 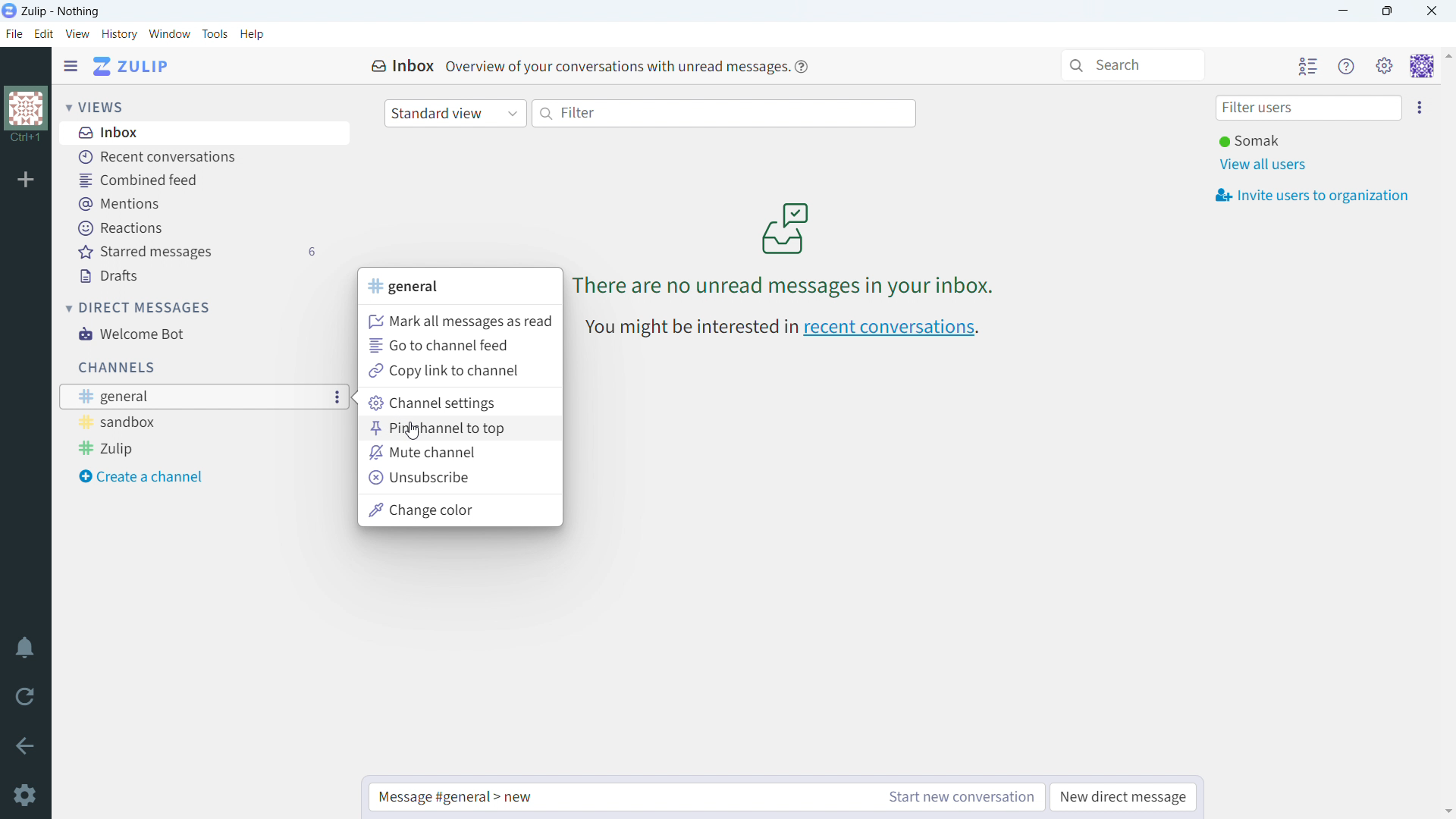 What do you see at coordinates (726, 114) in the screenshot?
I see `filter` at bounding box center [726, 114].